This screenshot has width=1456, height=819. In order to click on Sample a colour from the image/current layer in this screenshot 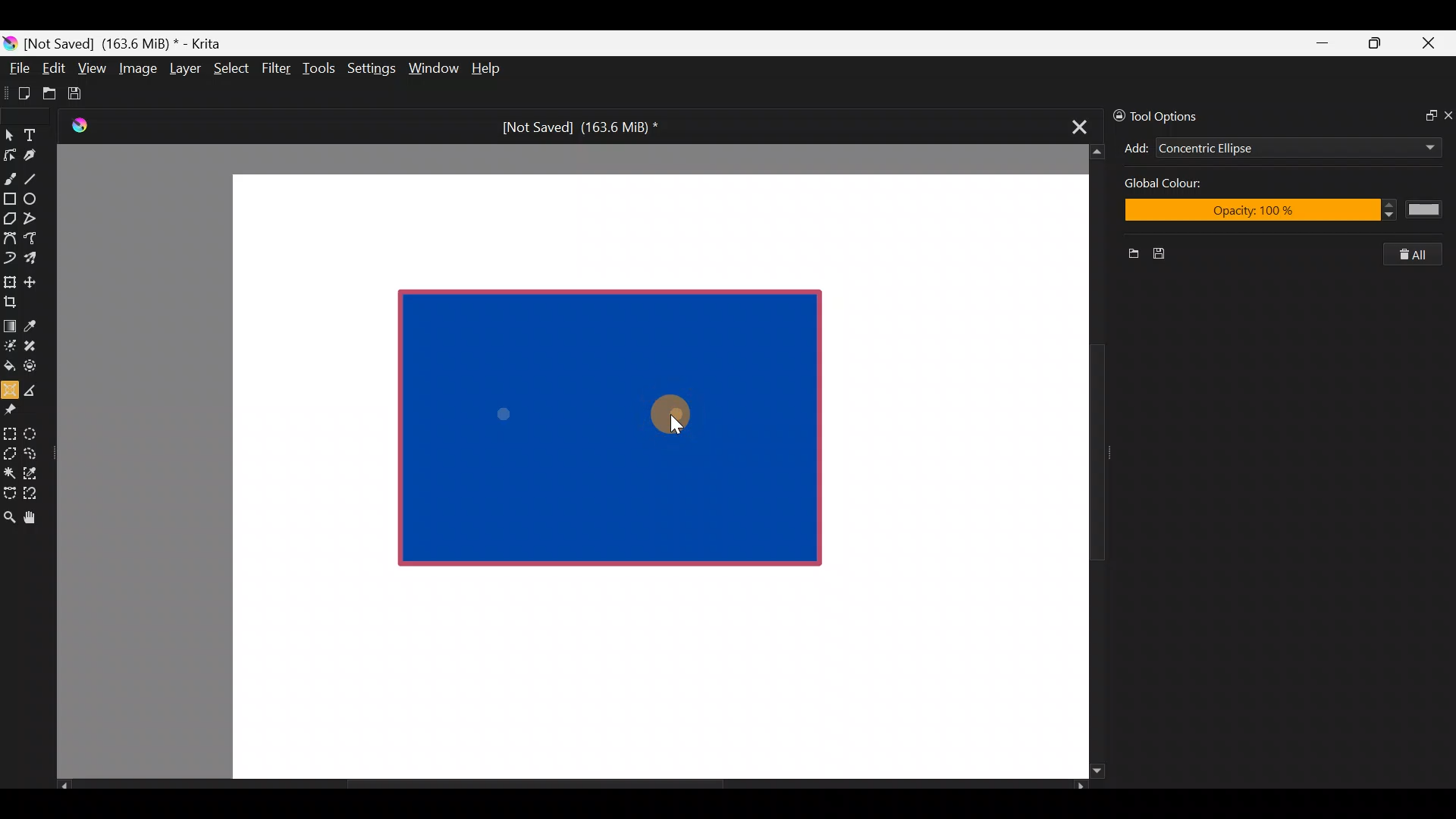, I will do `click(36, 324)`.